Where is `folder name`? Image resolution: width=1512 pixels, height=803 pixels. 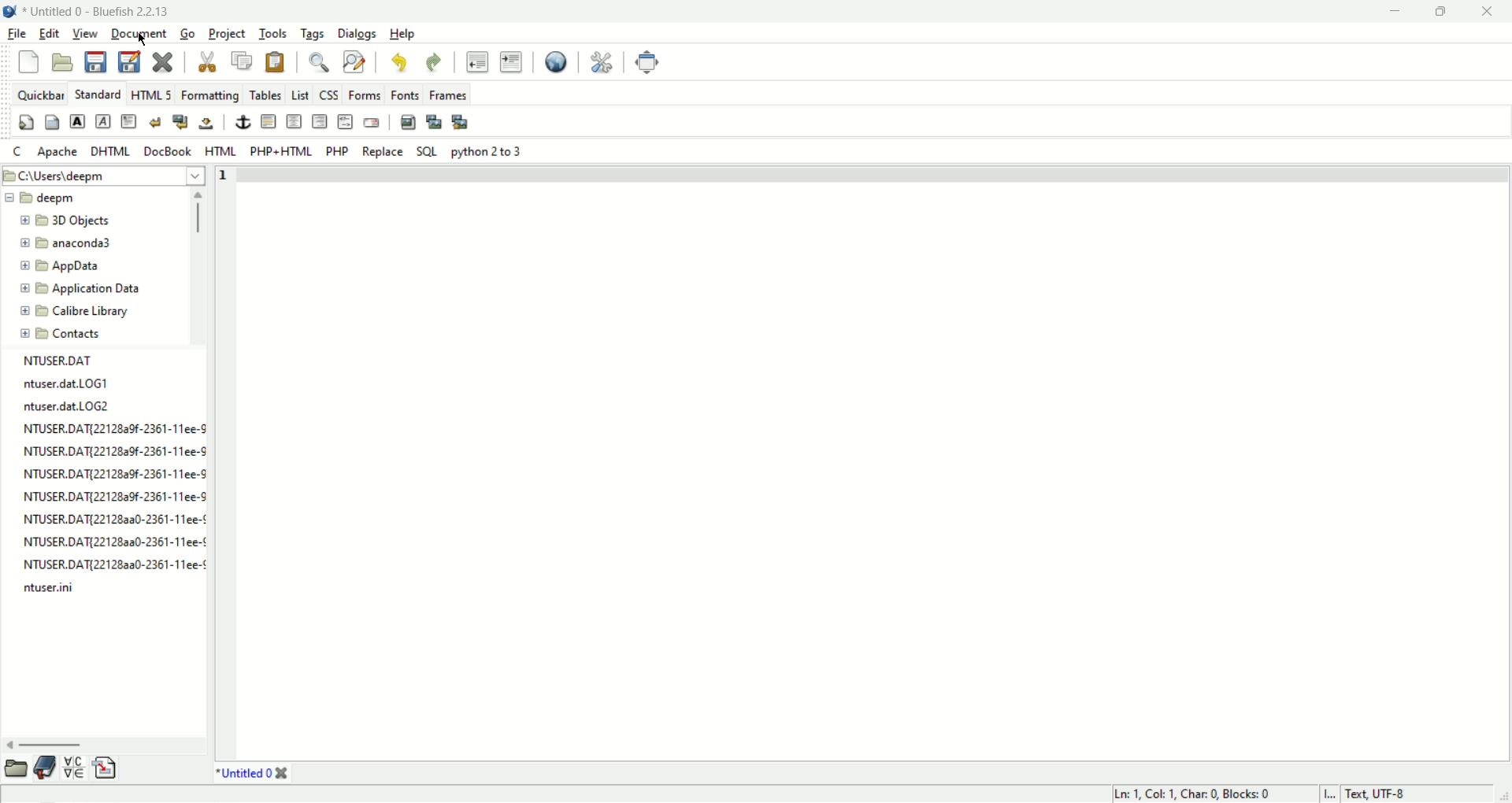 folder name is located at coordinates (63, 335).